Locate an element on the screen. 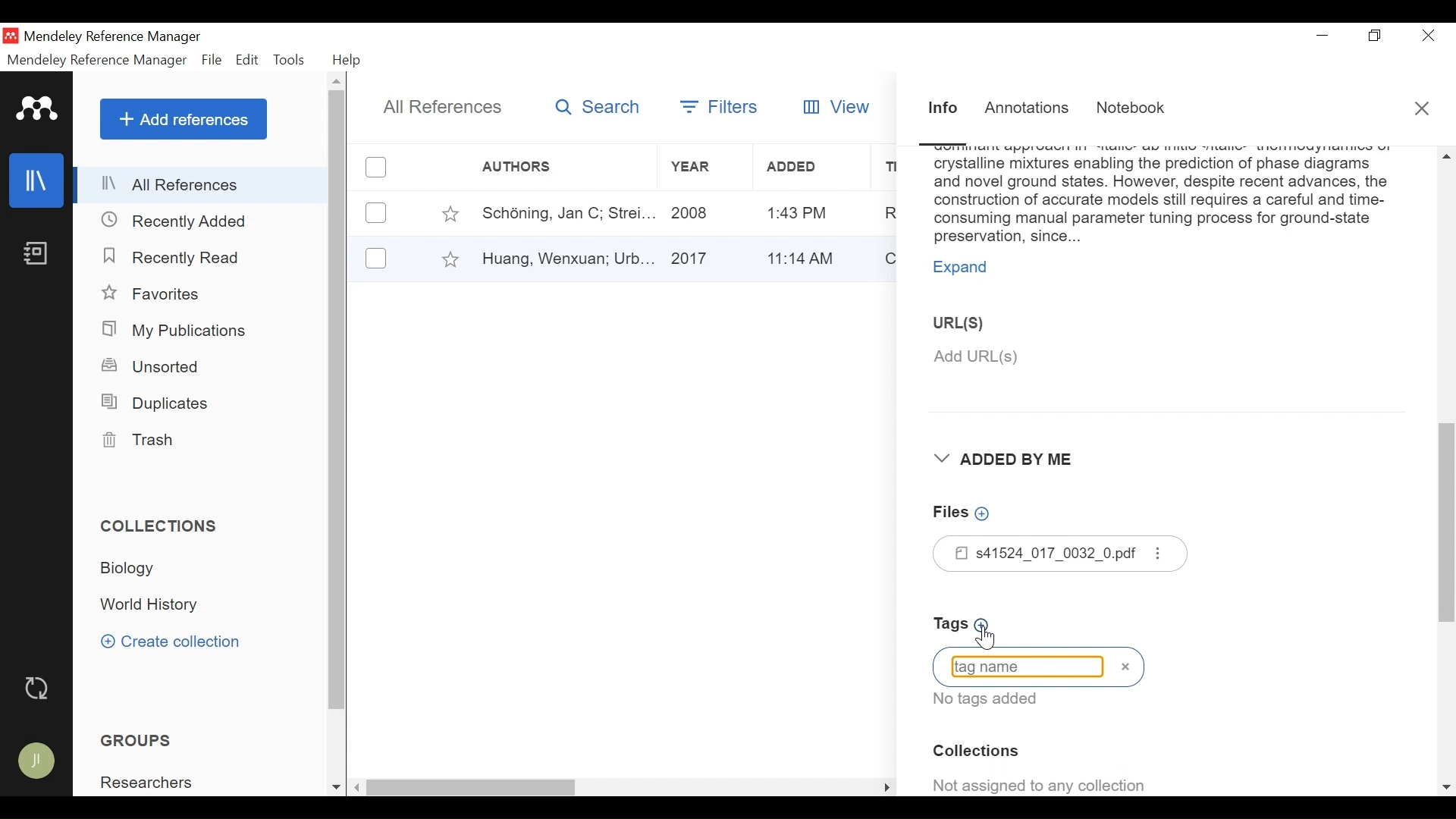 The image size is (1456, 819). Cursor is located at coordinates (984, 636).